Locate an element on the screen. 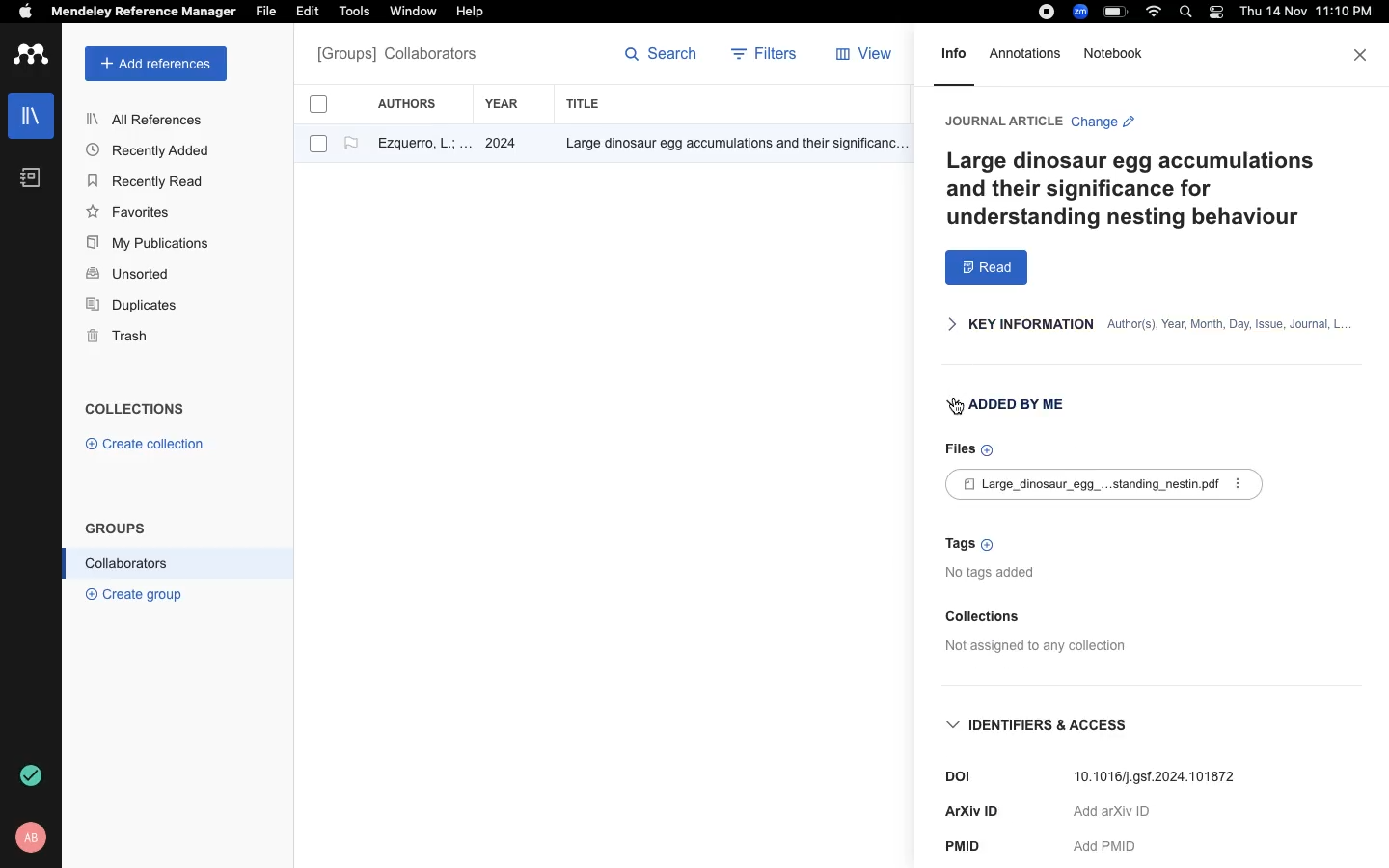  notebook is located at coordinates (31, 177).